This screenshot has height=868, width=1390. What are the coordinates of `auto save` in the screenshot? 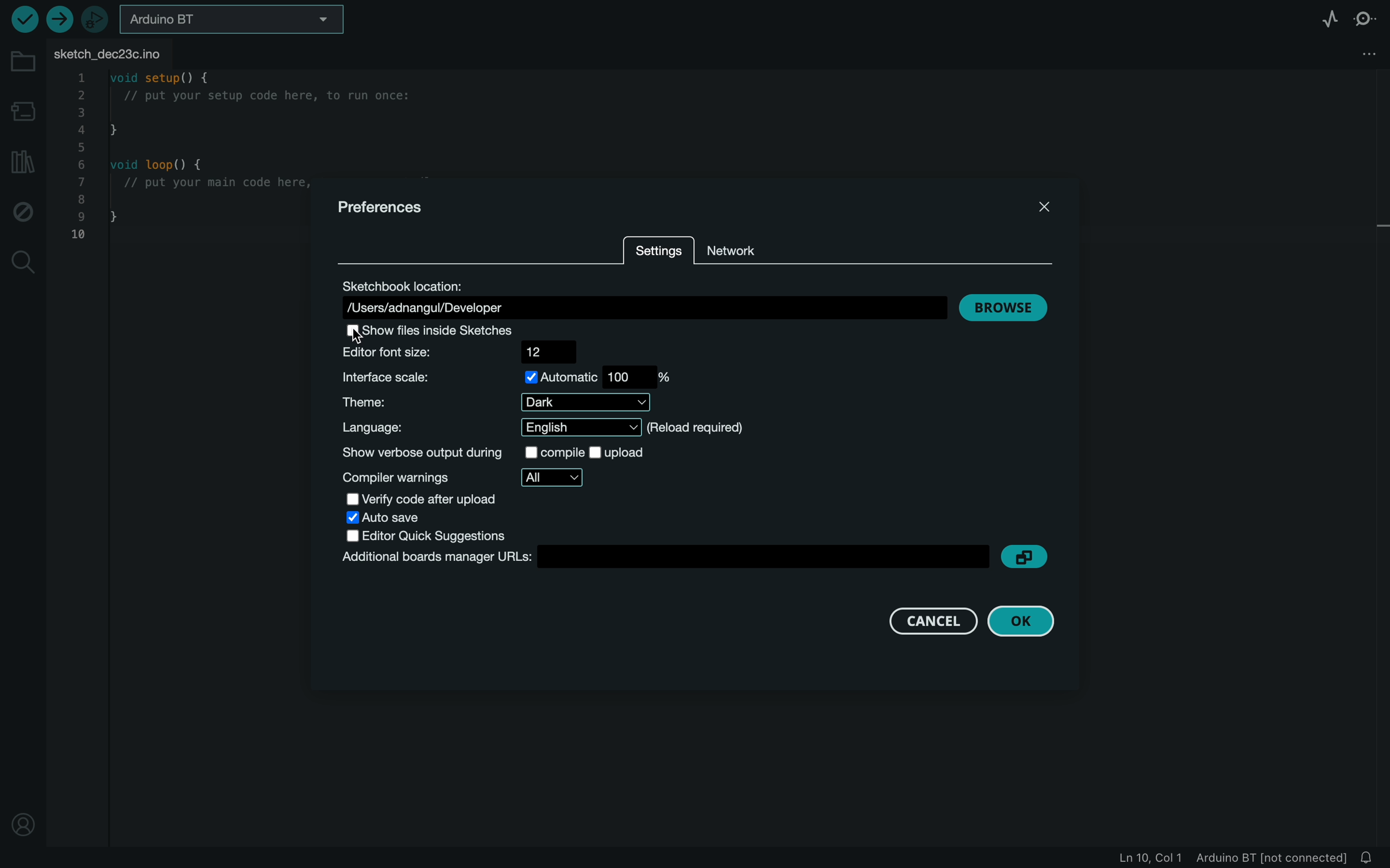 It's located at (396, 519).